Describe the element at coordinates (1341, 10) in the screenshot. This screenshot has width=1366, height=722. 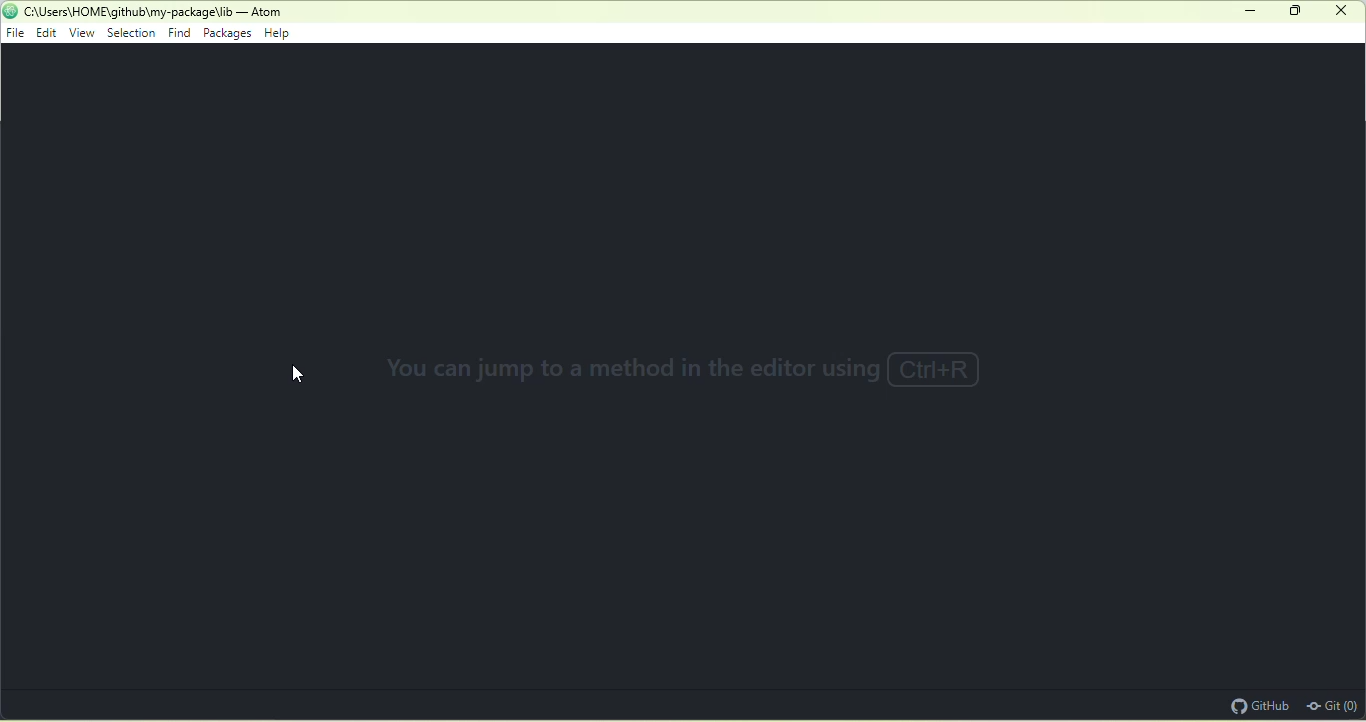
I see `close` at that location.